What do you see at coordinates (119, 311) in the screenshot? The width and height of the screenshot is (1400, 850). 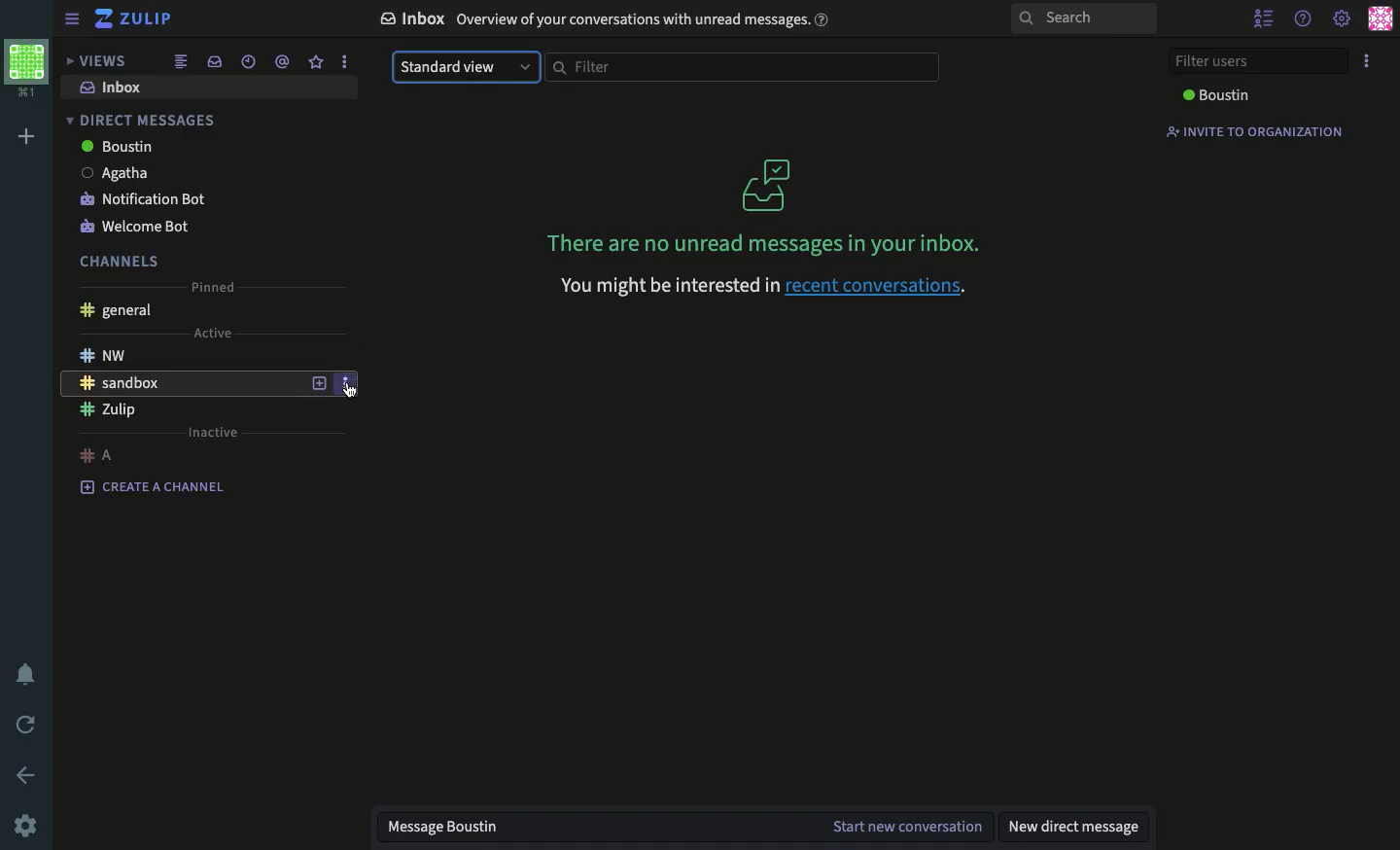 I see `general` at bounding box center [119, 311].